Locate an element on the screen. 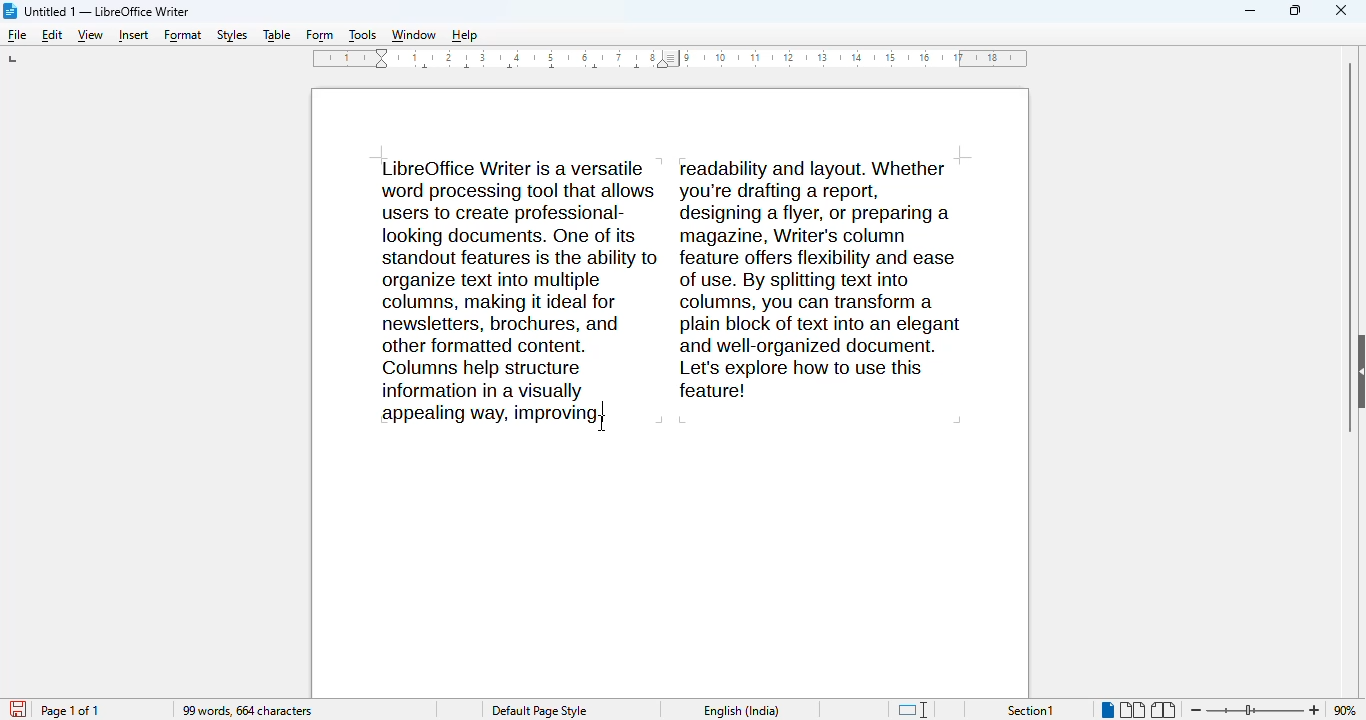  99 words, 664 characters is located at coordinates (248, 712).